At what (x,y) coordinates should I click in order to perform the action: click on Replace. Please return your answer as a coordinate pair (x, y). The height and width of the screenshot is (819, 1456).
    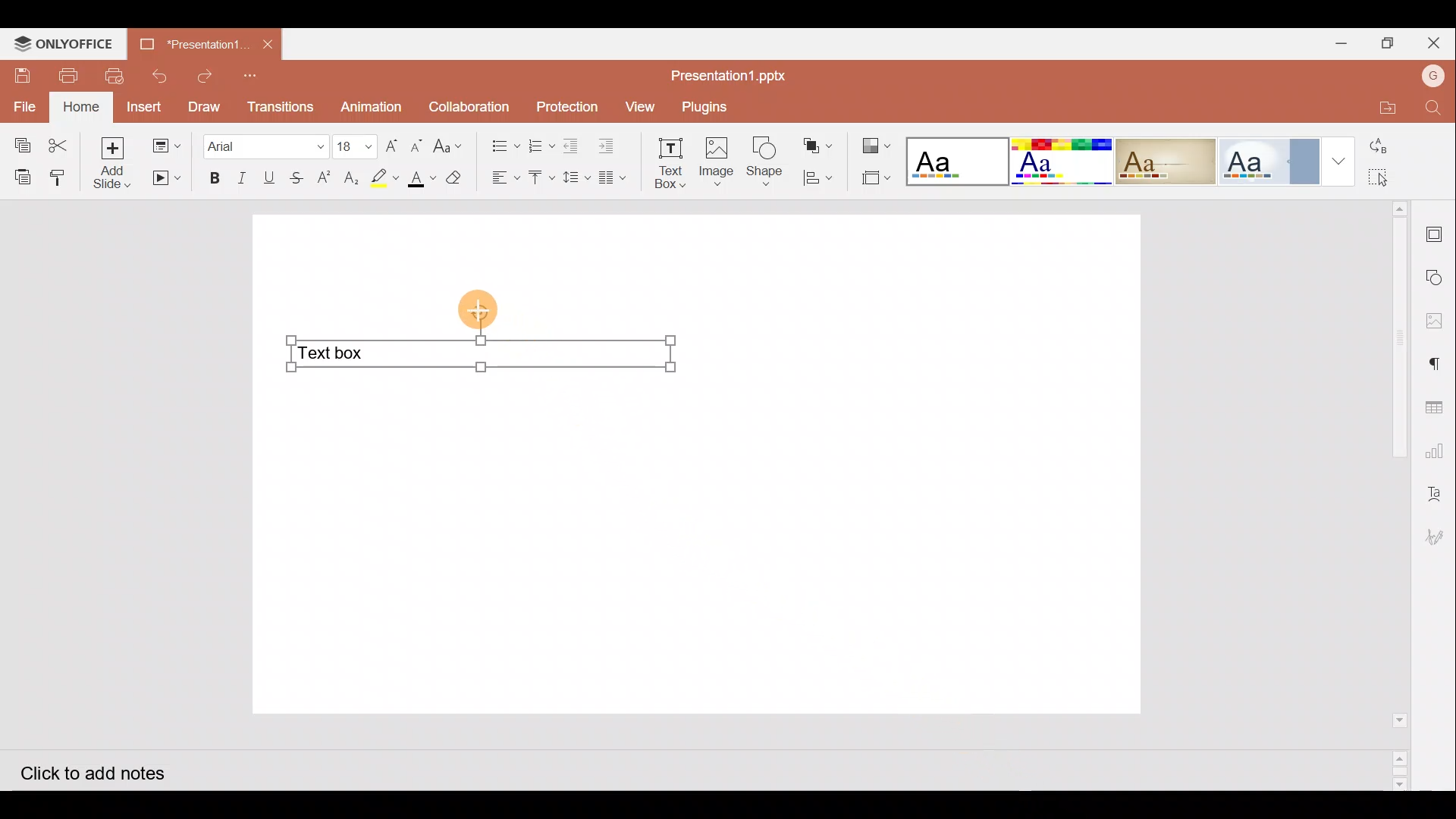
    Looking at the image, I should click on (1395, 148).